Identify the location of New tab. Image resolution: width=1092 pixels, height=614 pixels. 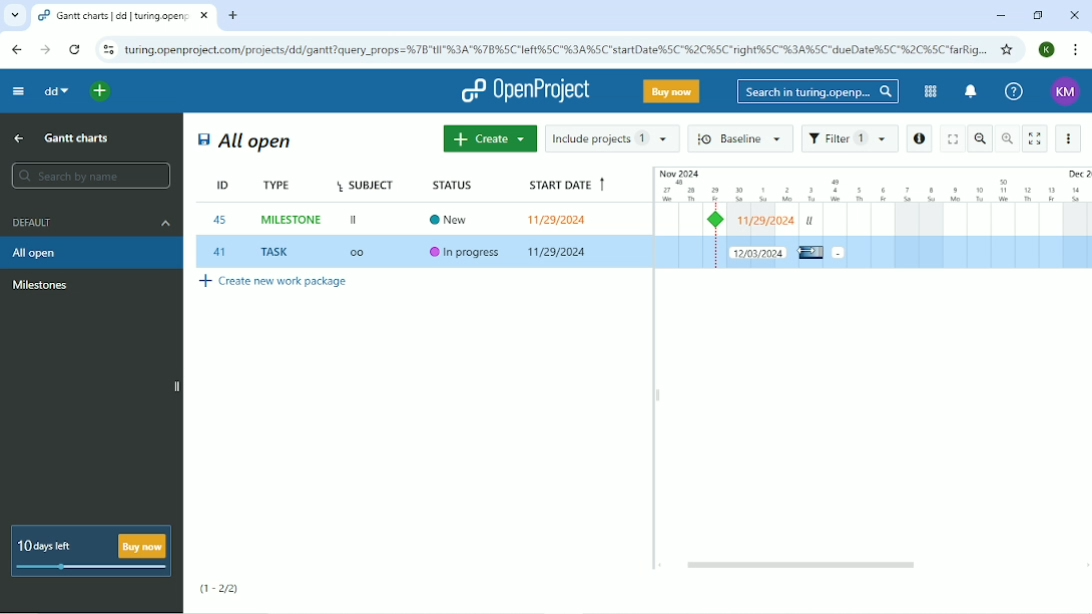
(235, 15).